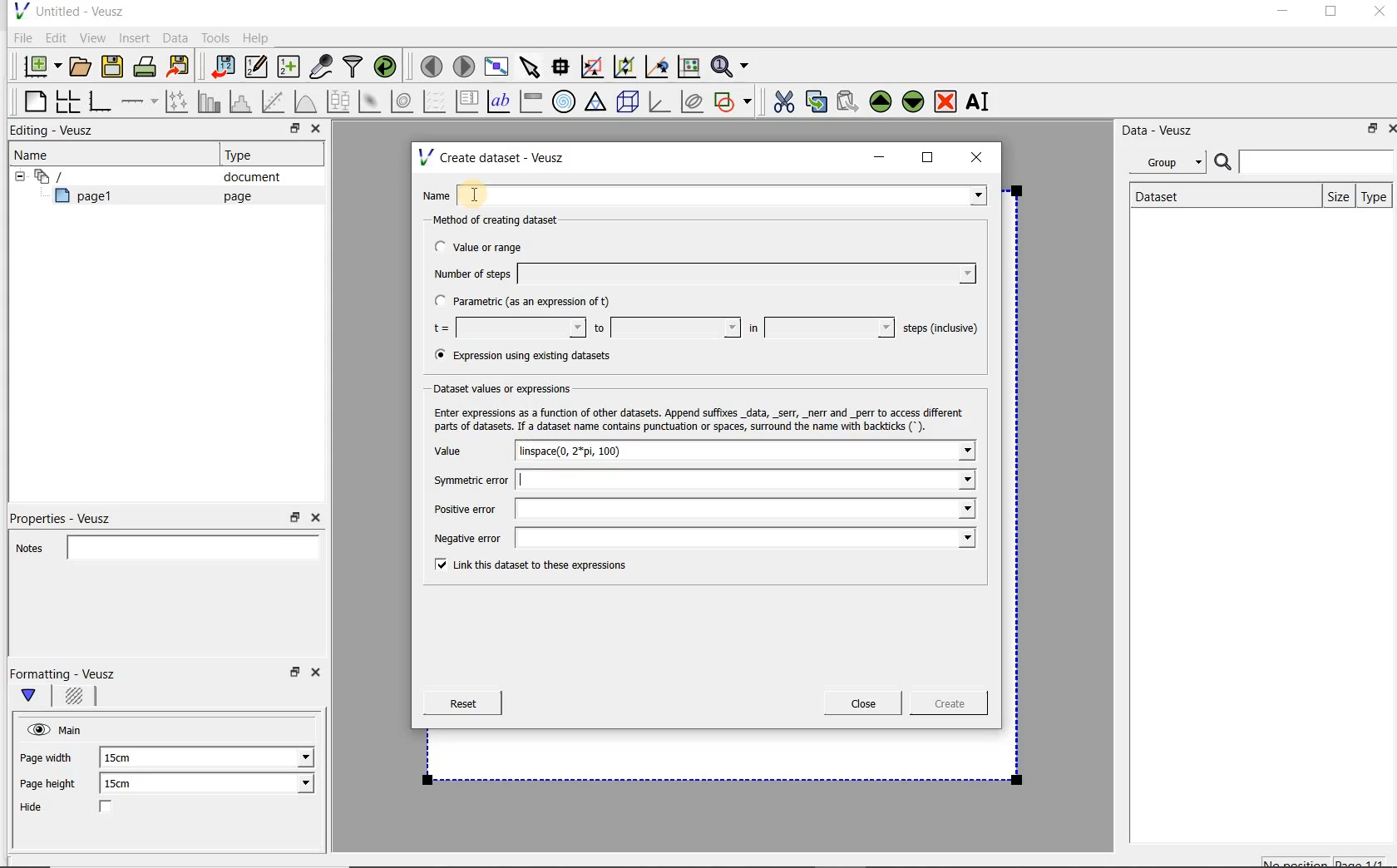 Image resolution: width=1397 pixels, height=868 pixels. I want to click on blank page, so click(32, 99).